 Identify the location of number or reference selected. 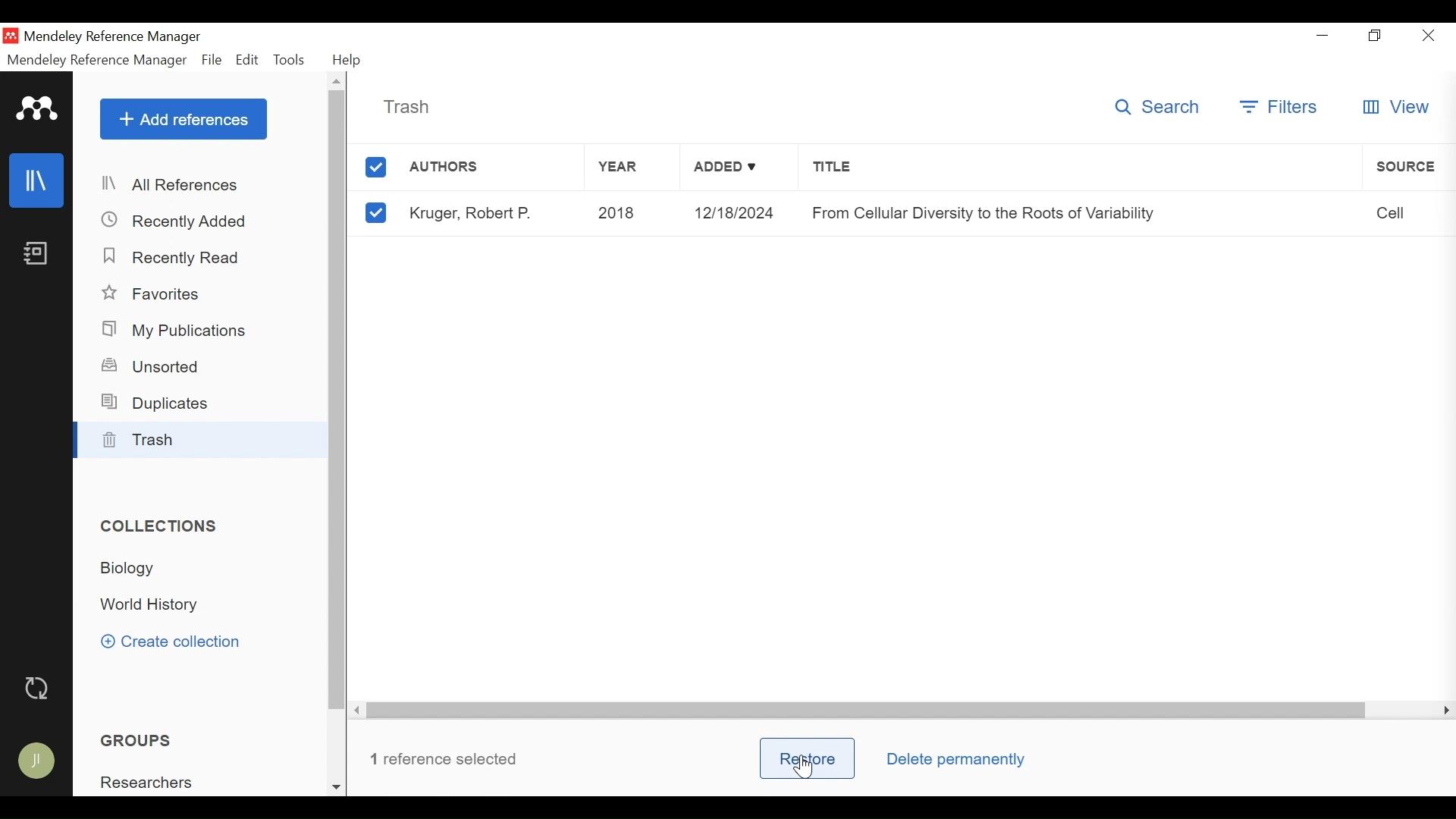
(452, 759).